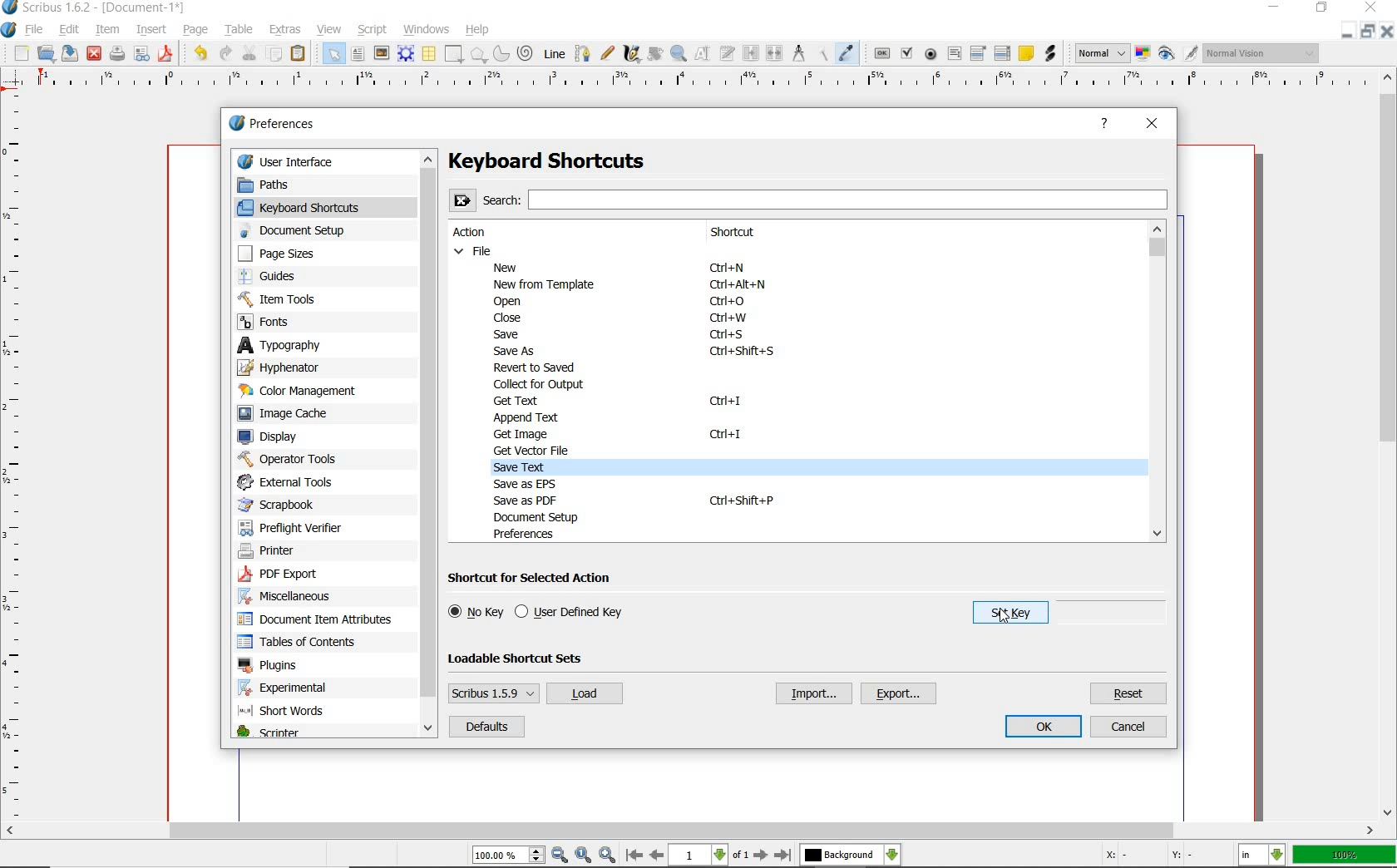 The width and height of the screenshot is (1397, 868). I want to click on ruler, so click(15, 459).